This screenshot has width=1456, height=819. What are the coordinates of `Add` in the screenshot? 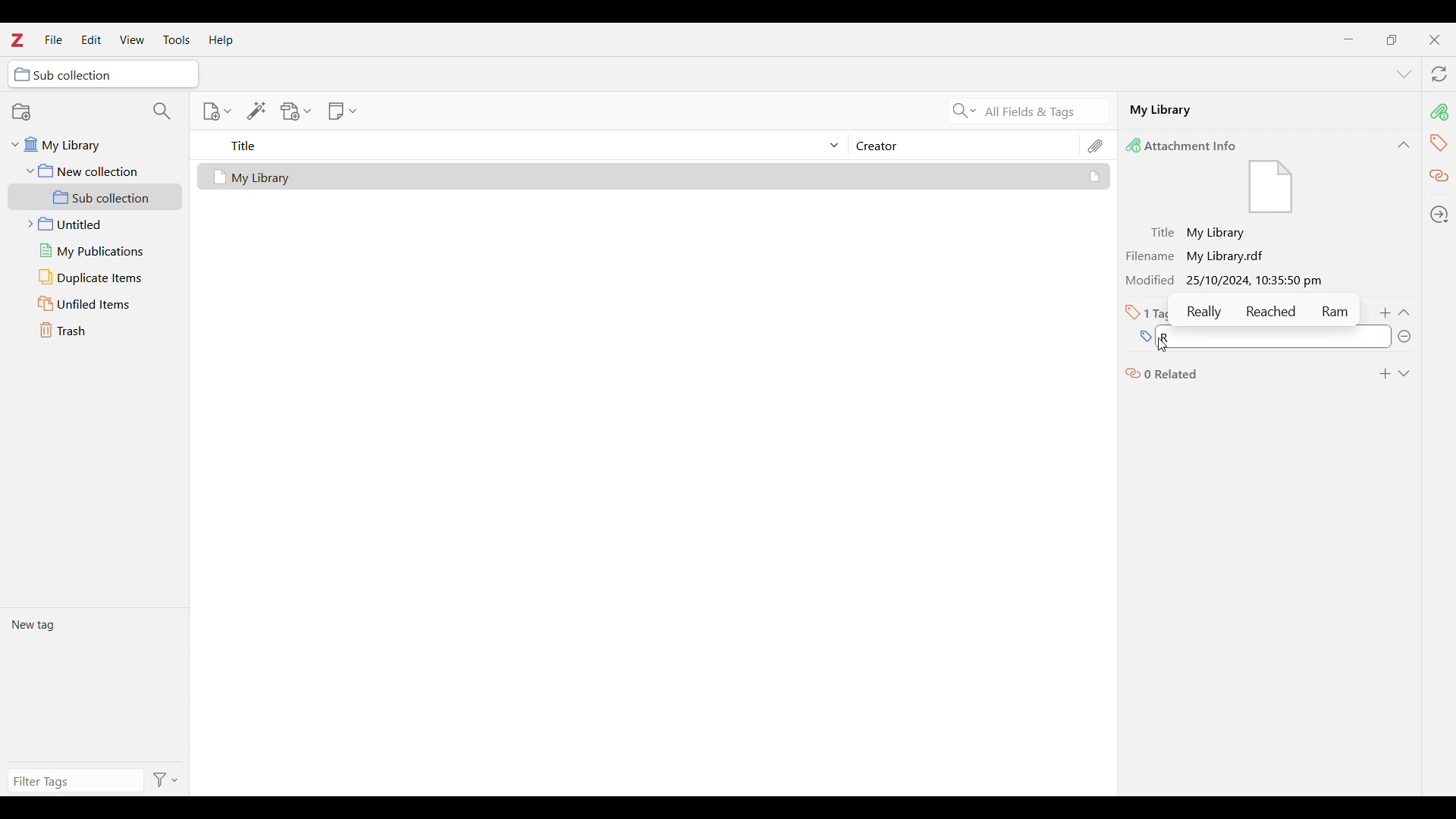 It's located at (1386, 313).